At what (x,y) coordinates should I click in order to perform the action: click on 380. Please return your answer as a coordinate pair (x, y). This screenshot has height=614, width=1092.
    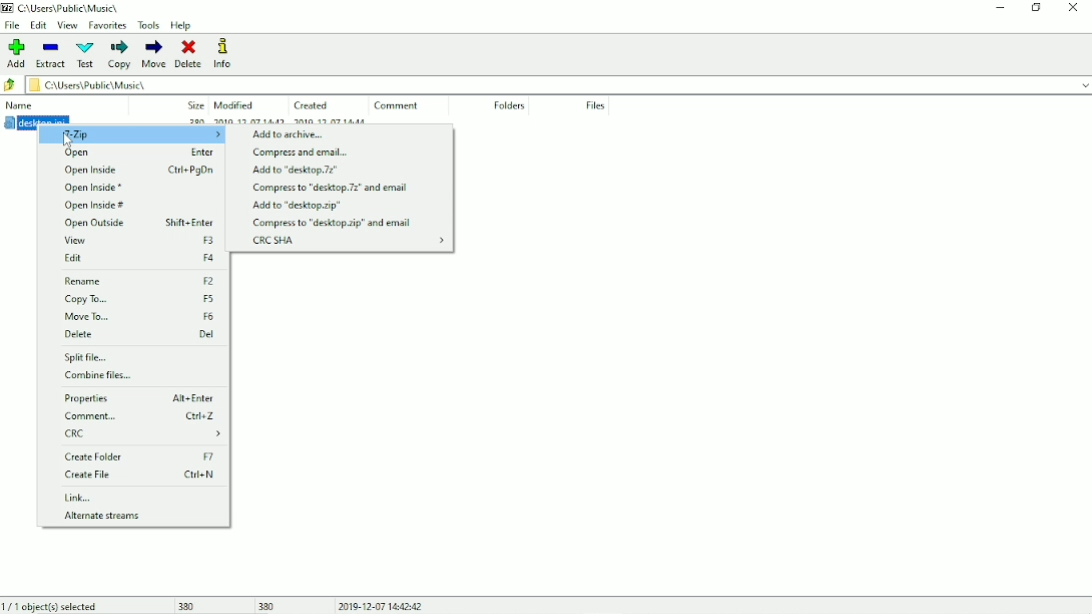
    Looking at the image, I should click on (193, 121).